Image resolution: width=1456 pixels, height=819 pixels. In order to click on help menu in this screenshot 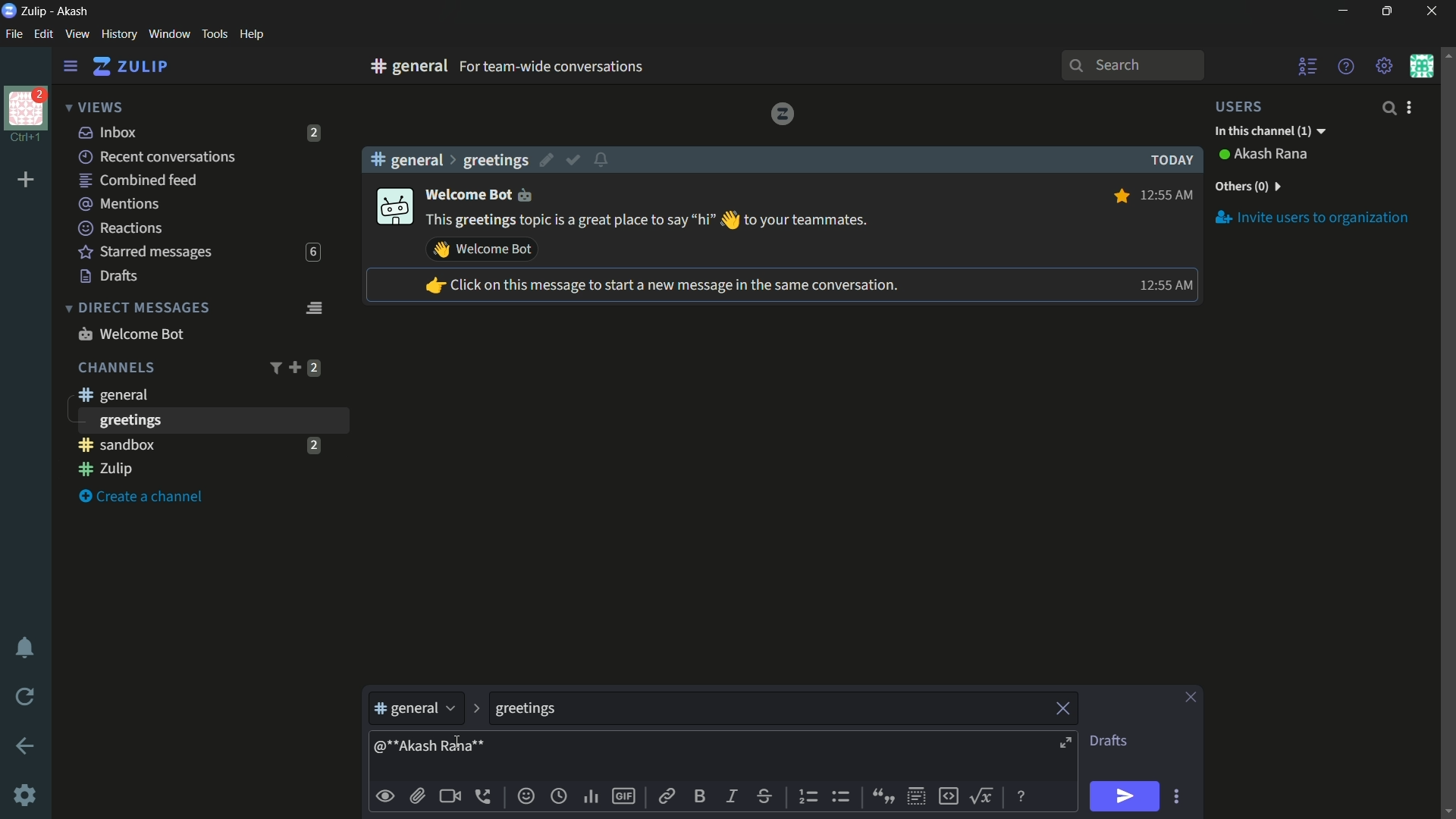, I will do `click(1345, 66)`.